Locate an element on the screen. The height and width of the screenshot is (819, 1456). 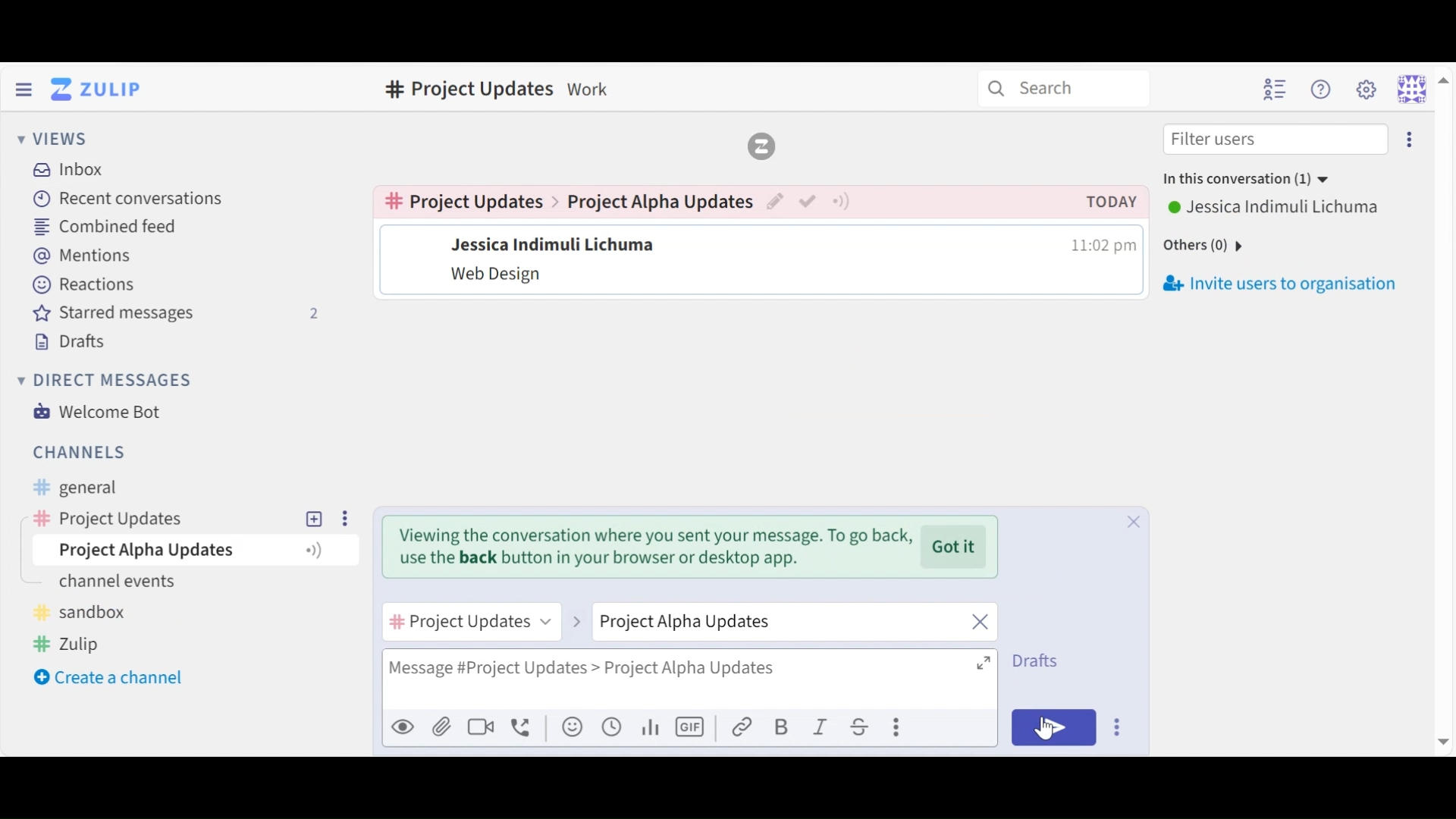
Search is located at coordinates (1063, 86).